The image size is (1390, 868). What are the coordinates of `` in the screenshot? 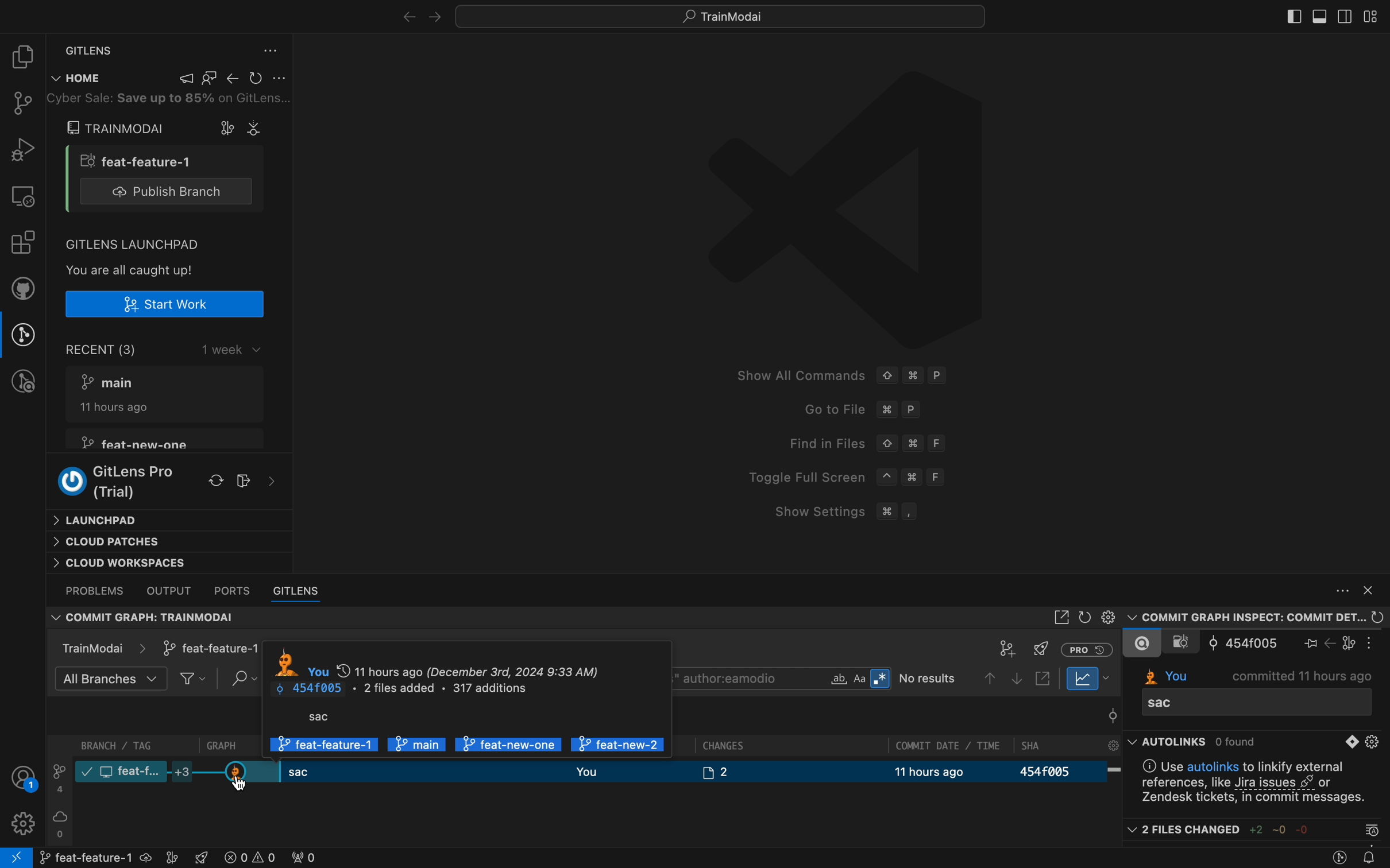 It's located at (161, 100).